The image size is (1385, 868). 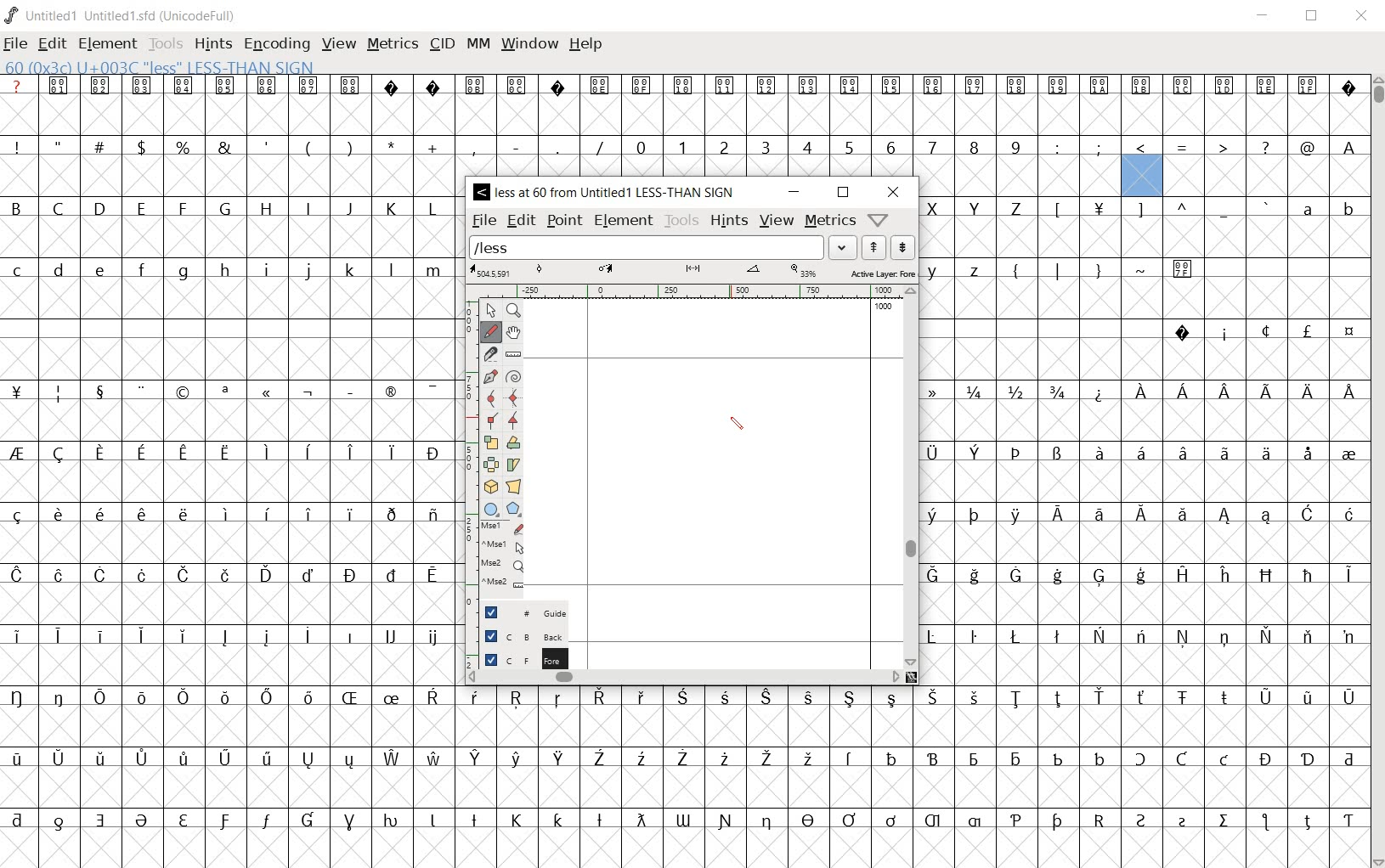 What do you see at coordinates (490, 397) in the screenshot?
I see `add a curve point` at bounding box center [490, 397].